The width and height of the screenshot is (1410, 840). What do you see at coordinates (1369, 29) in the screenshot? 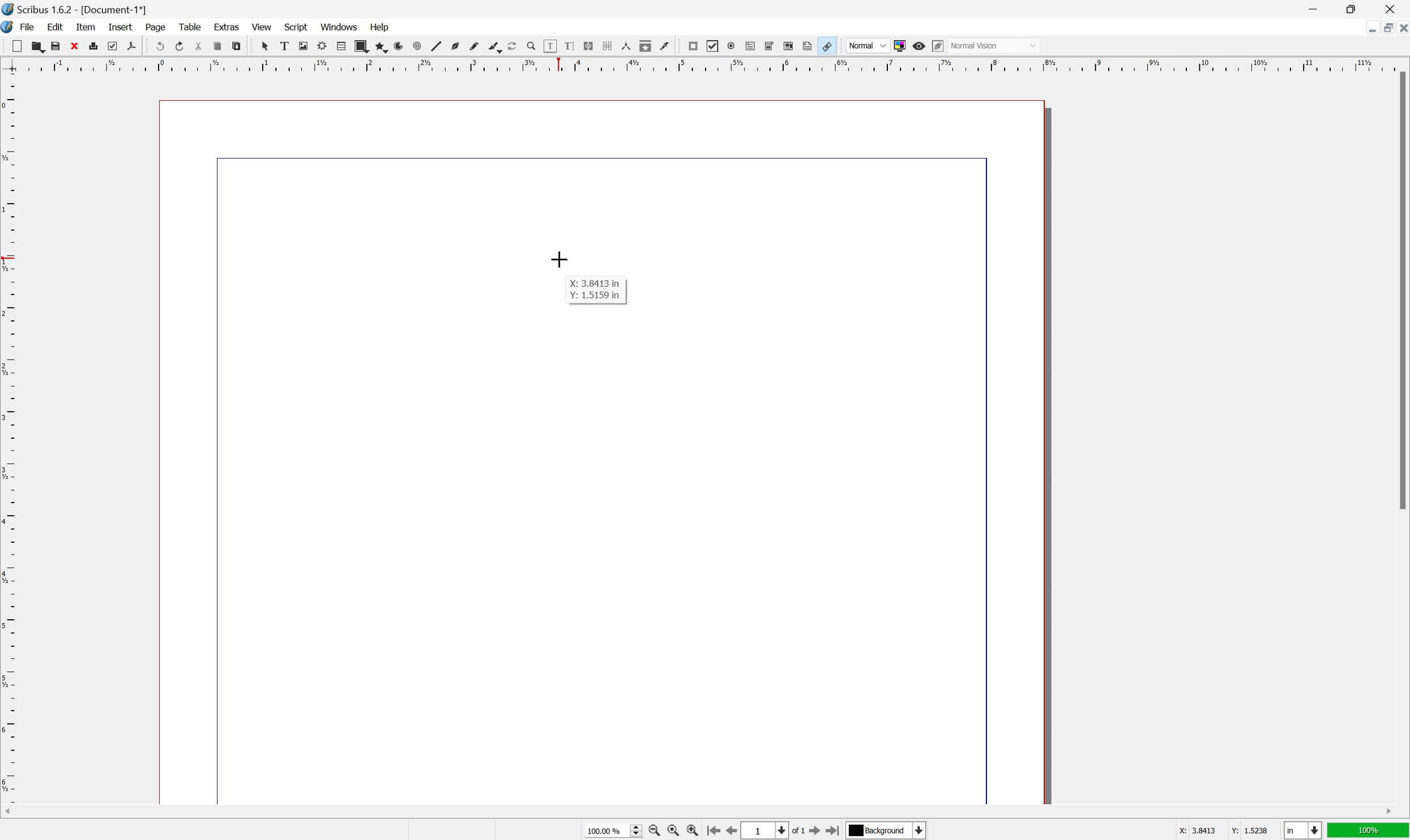
I see `minimize` at bounding box center [1369, 29].